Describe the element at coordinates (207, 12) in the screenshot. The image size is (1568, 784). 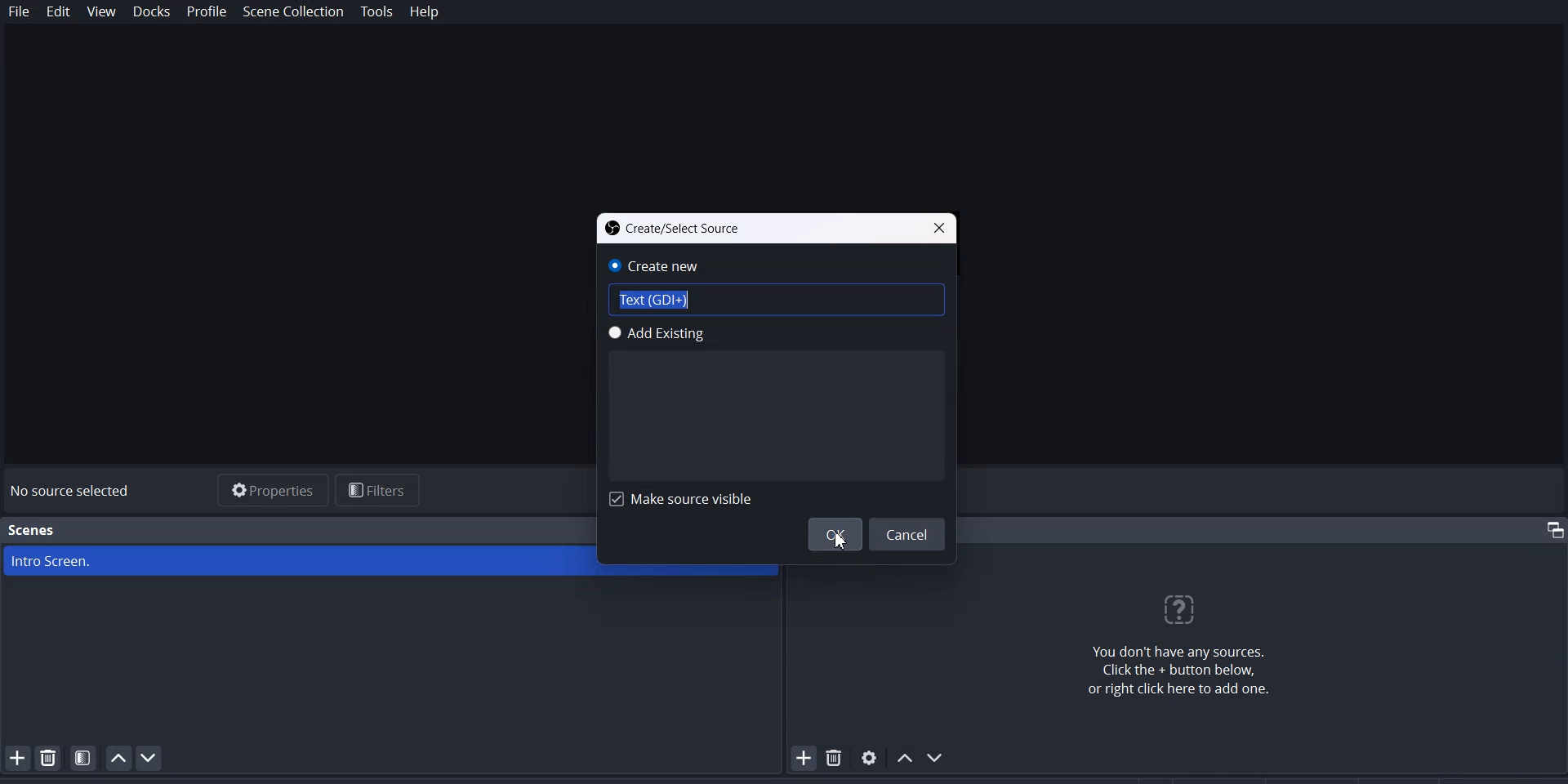
I see `Profile` at that location.